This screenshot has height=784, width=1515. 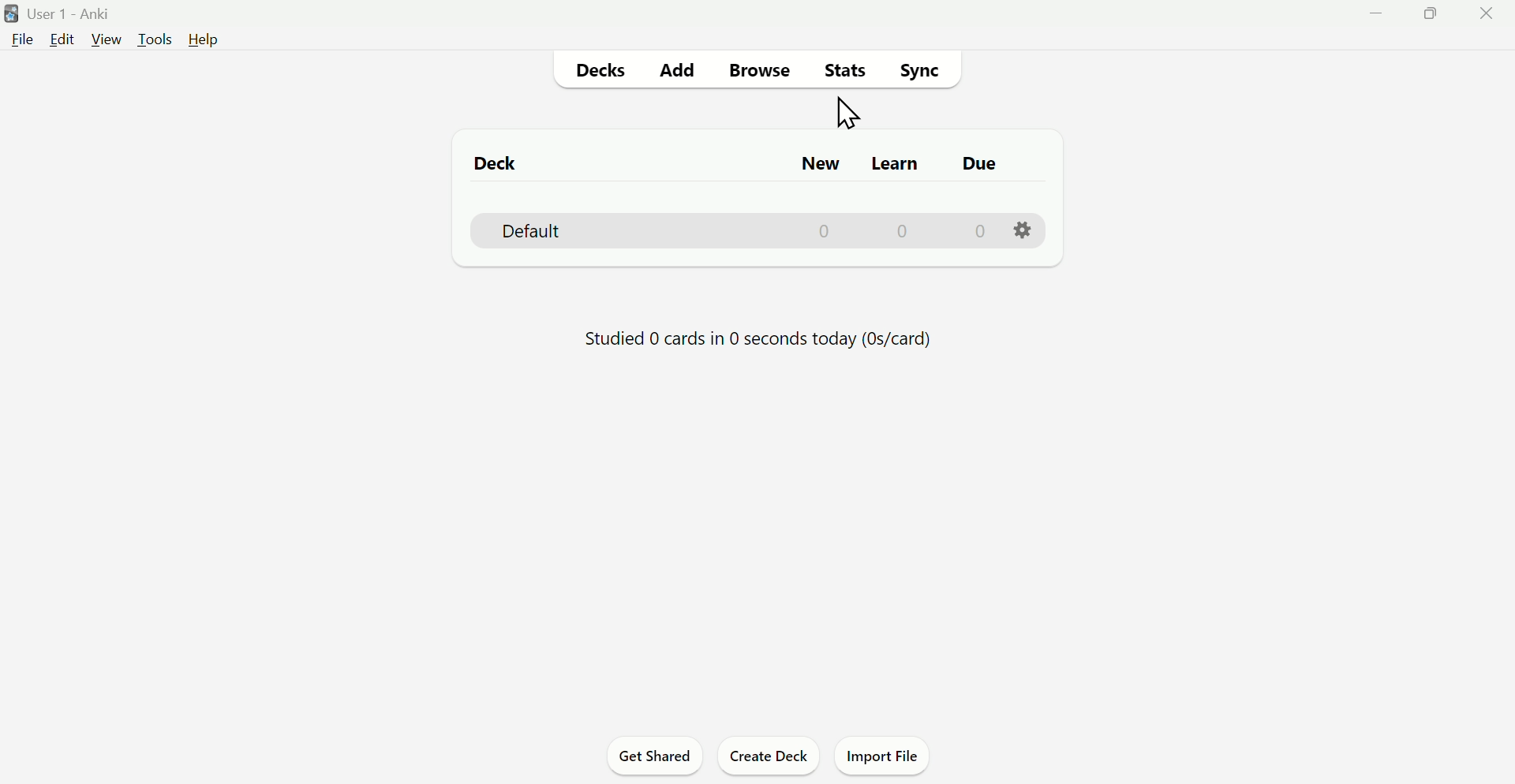 I want to click on Edit, so click(x=59, y=39).